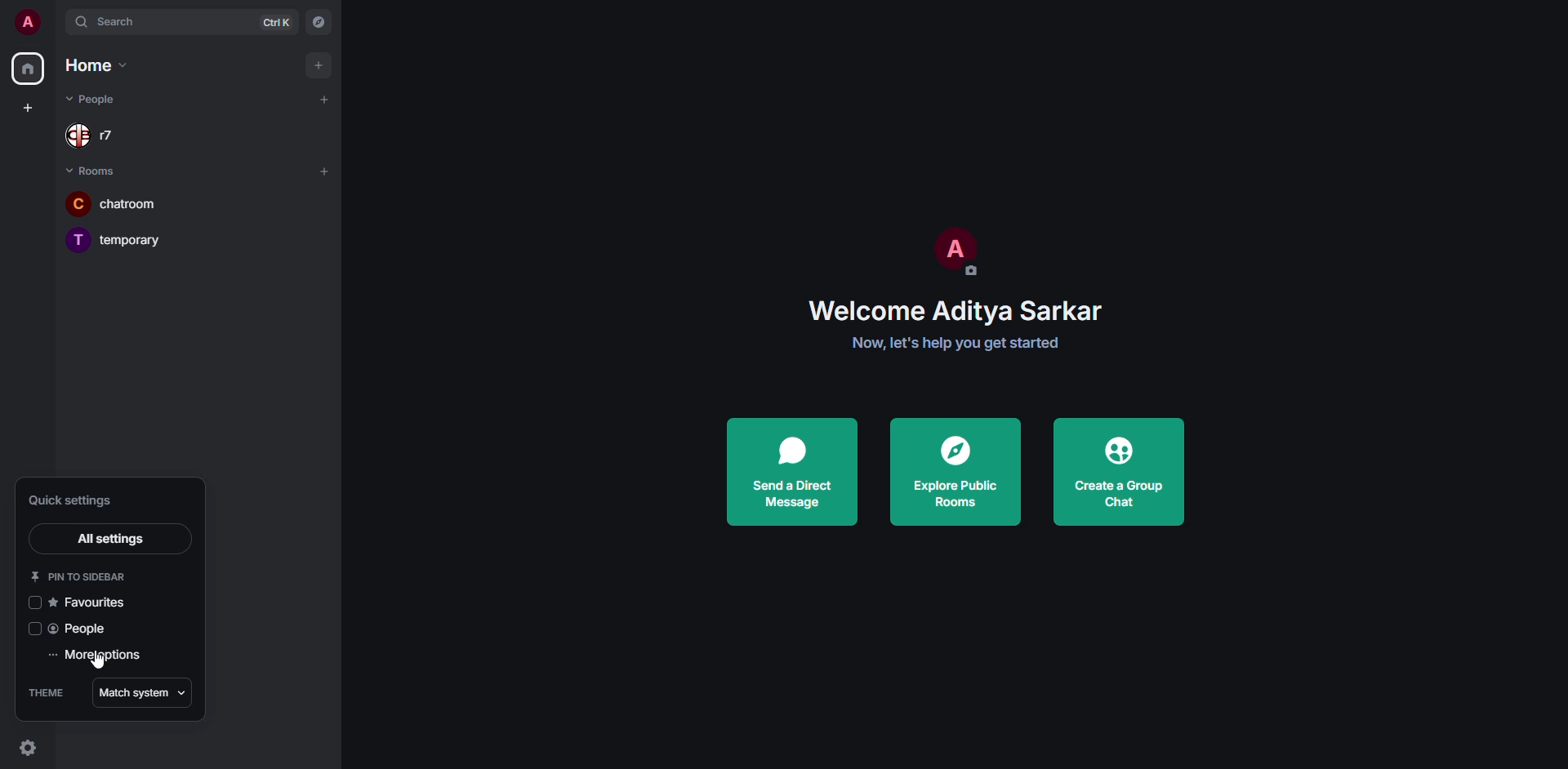 The height and width of the screenshot is (769, 1568). What do you see at coordinates (318, 23) in the screenshot?
I see `navigator` at bounding box center [318, 23].